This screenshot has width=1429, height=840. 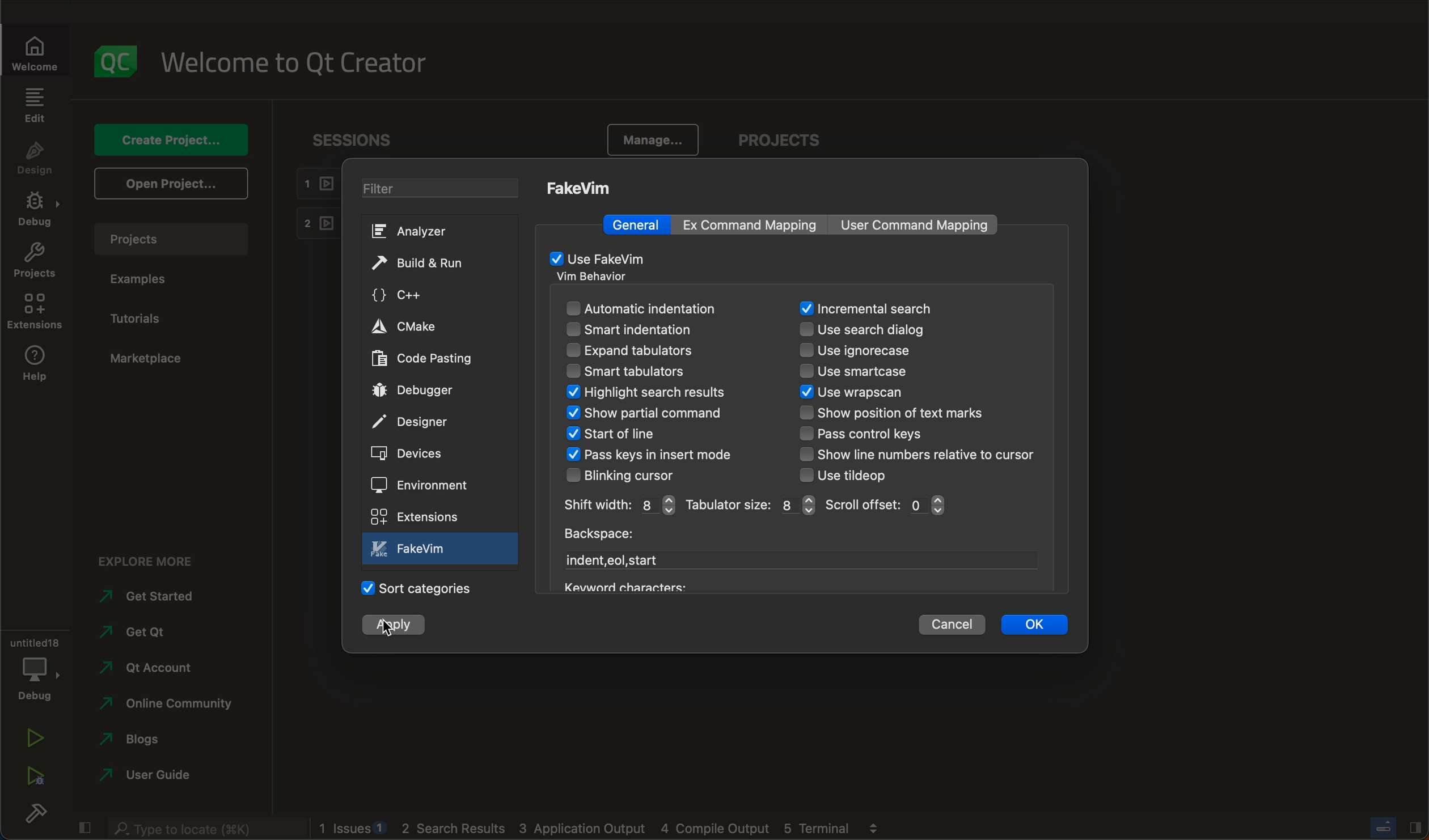 I want to click on search dialog, so click(x=877, y=330).